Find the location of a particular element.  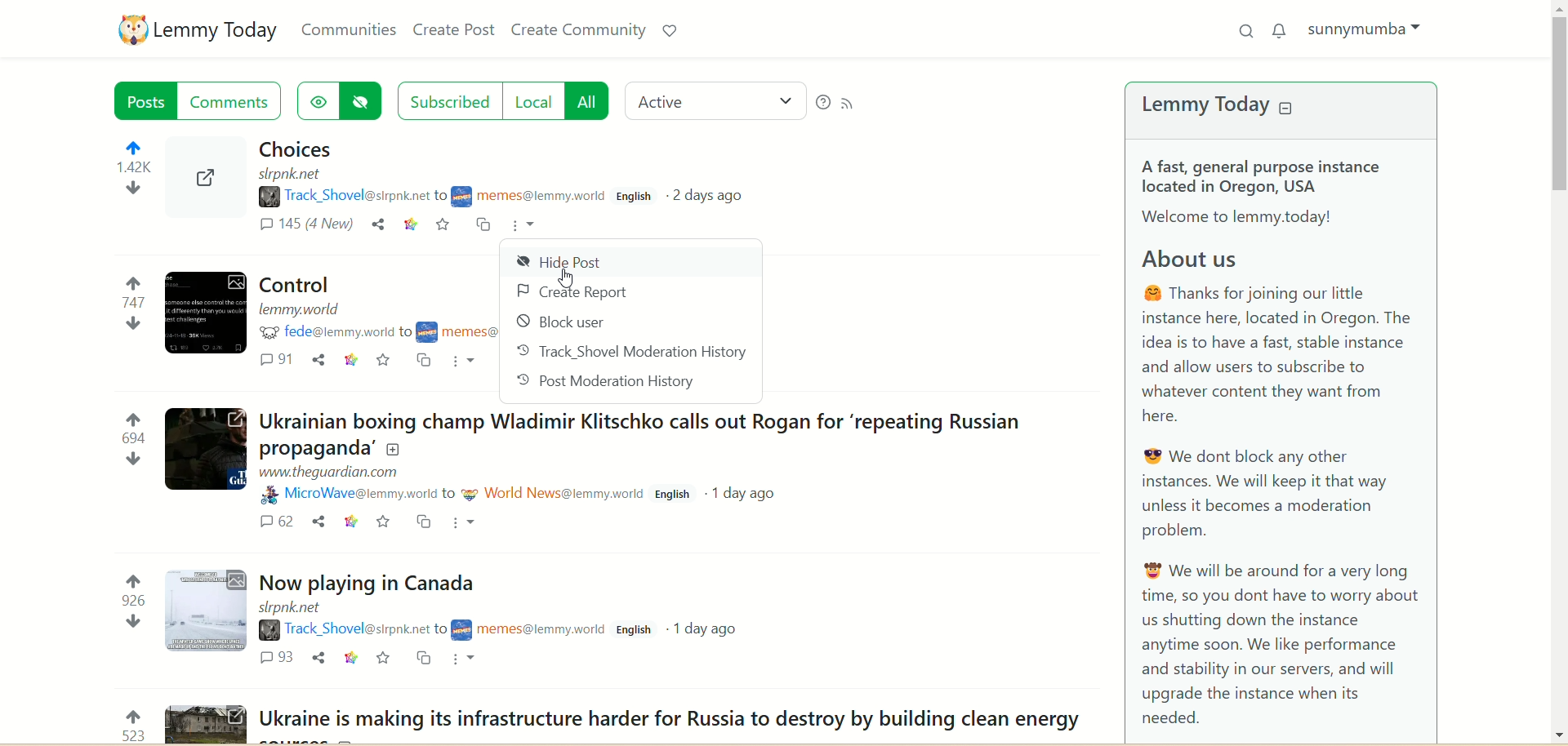

support lemmy is located at coordinates (670, 29).